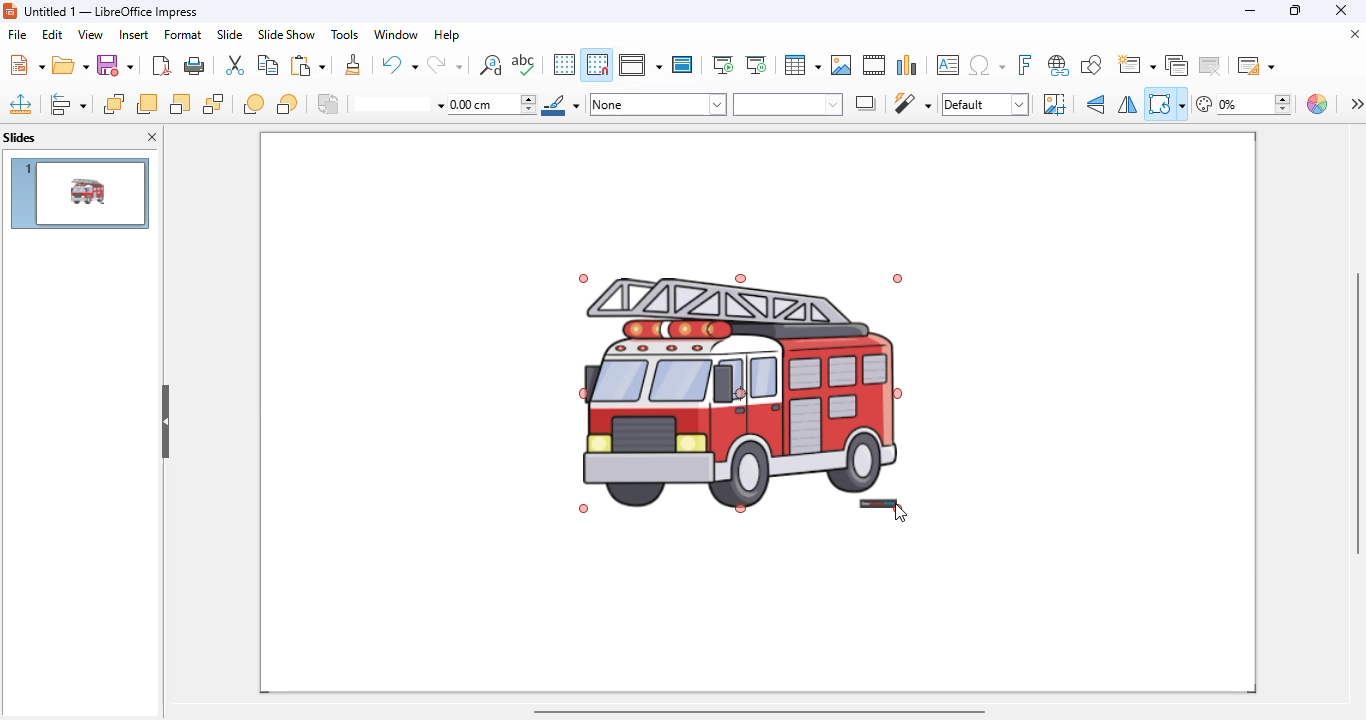 Image resolution: width=1366 pixels, height=720 pixels. Describe the element at coordinates (20, 137) in the screenshot. I see `slides` at that location.